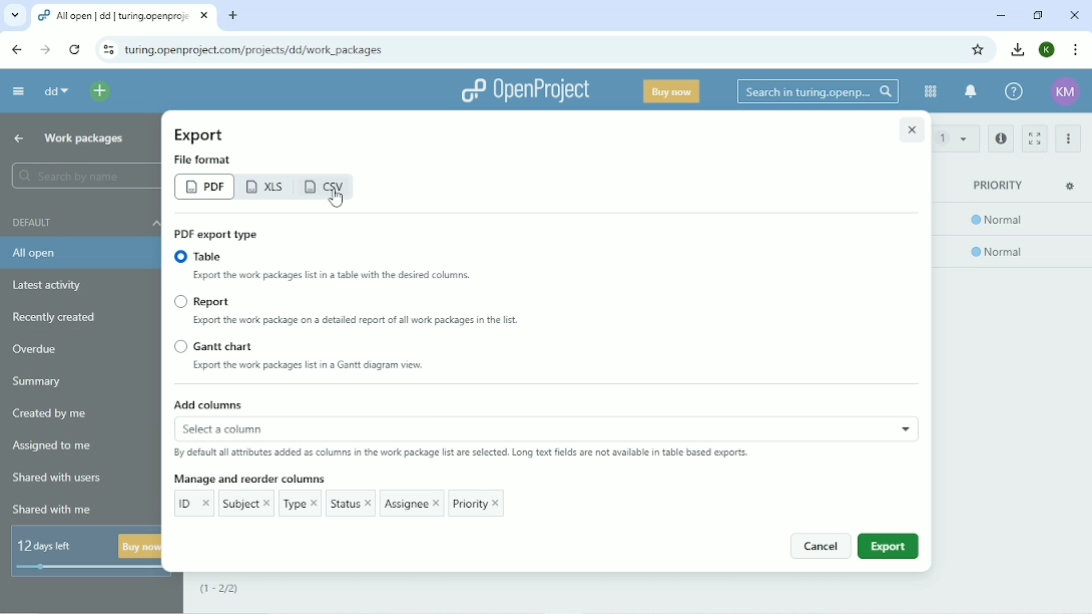 The height and width of the screenshot is (614, 1092). Describe the element at coordinates (195, 504) in the screenshot. I see `ID` at that location.